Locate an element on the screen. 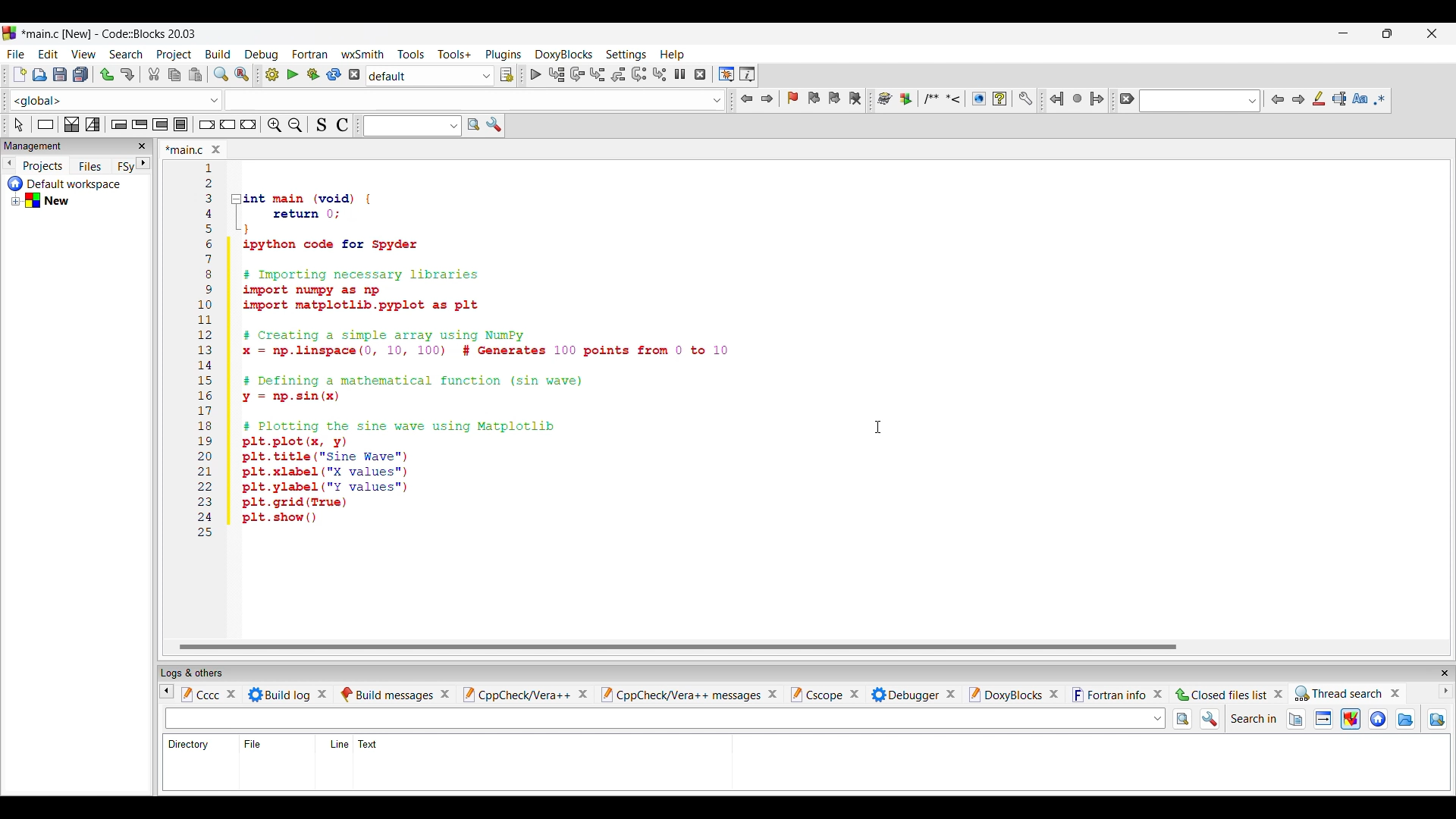  Run to cursor is located at coordinates (556, 74).